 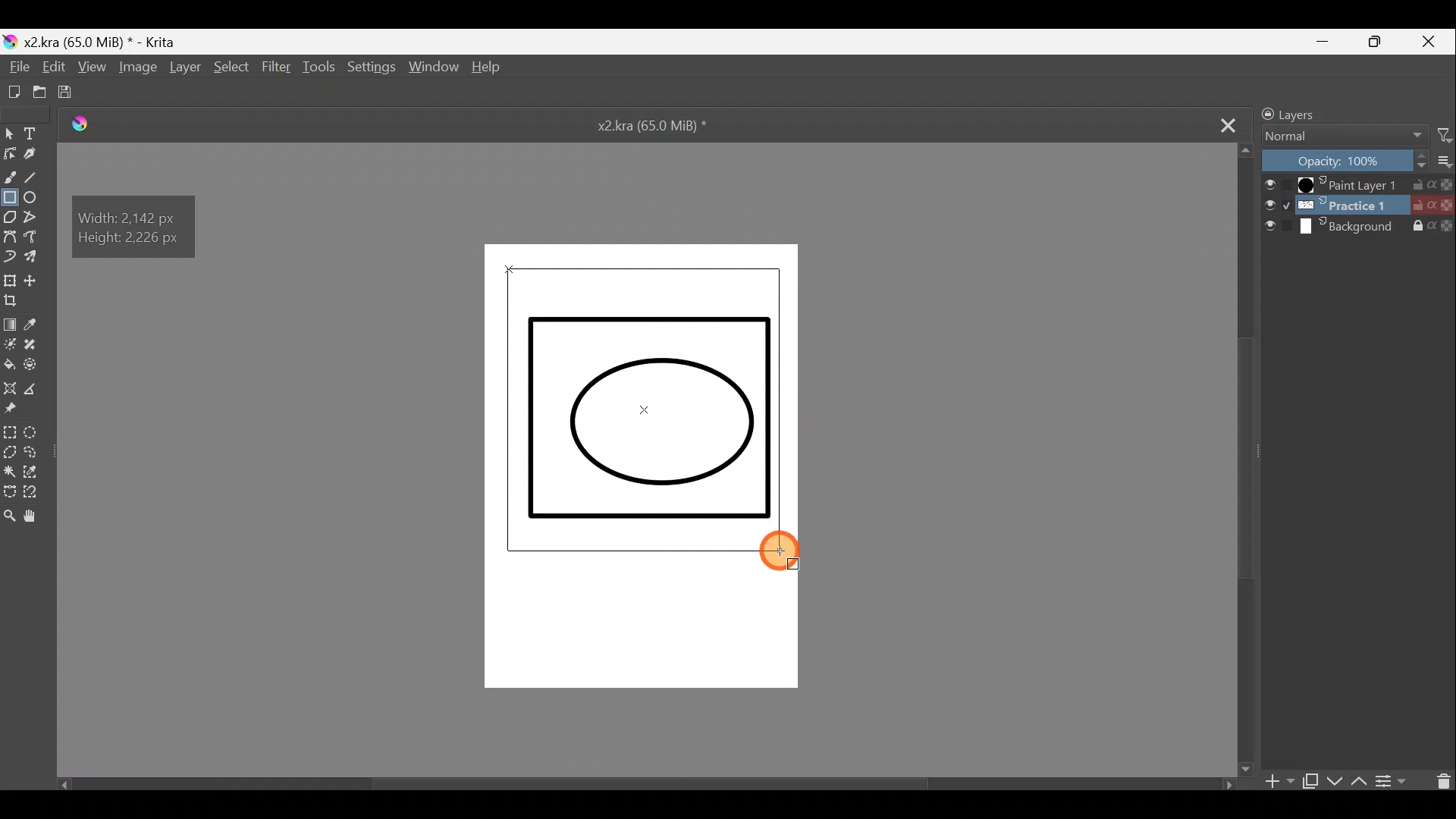 What do you see at coordinates (33, 387) in the screenshot?
I see `Measure distance between two points` at bounding box center [33, 387].